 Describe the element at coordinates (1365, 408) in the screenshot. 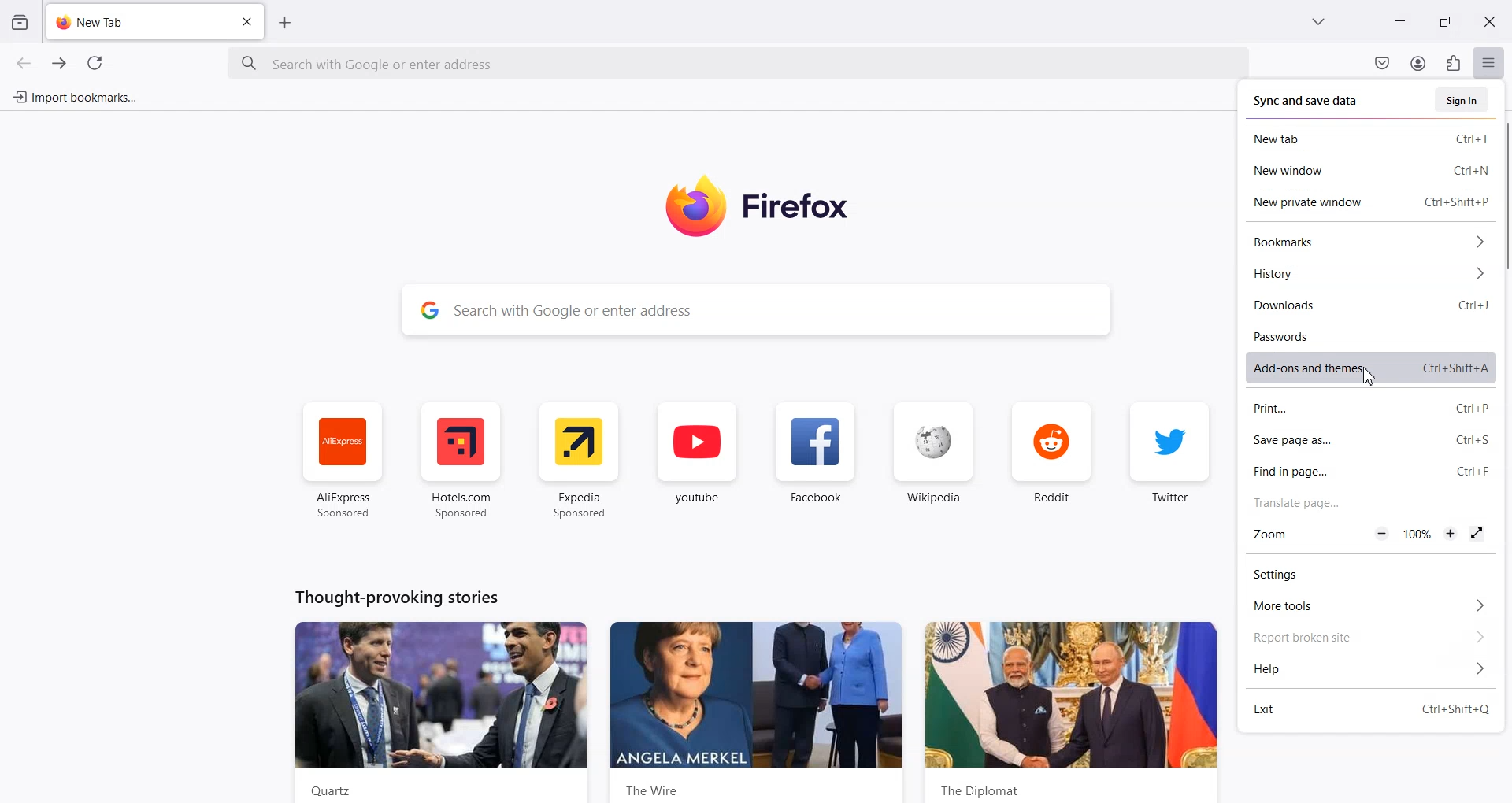

I see `Print` at that location.